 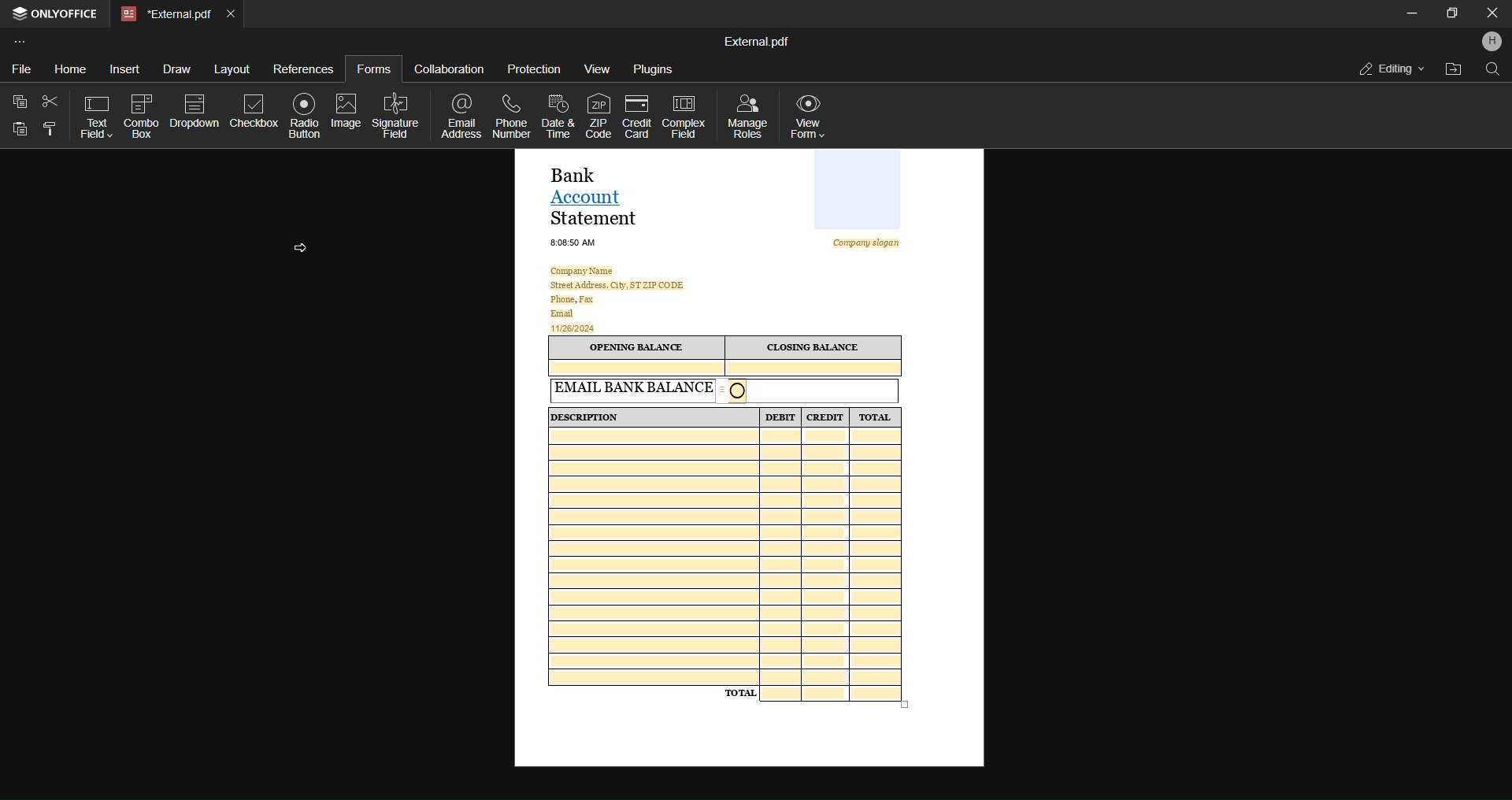 What do you see at coordinates (52, 102) in the screenshot?
I see `cut` at bounding box center [52, 102].